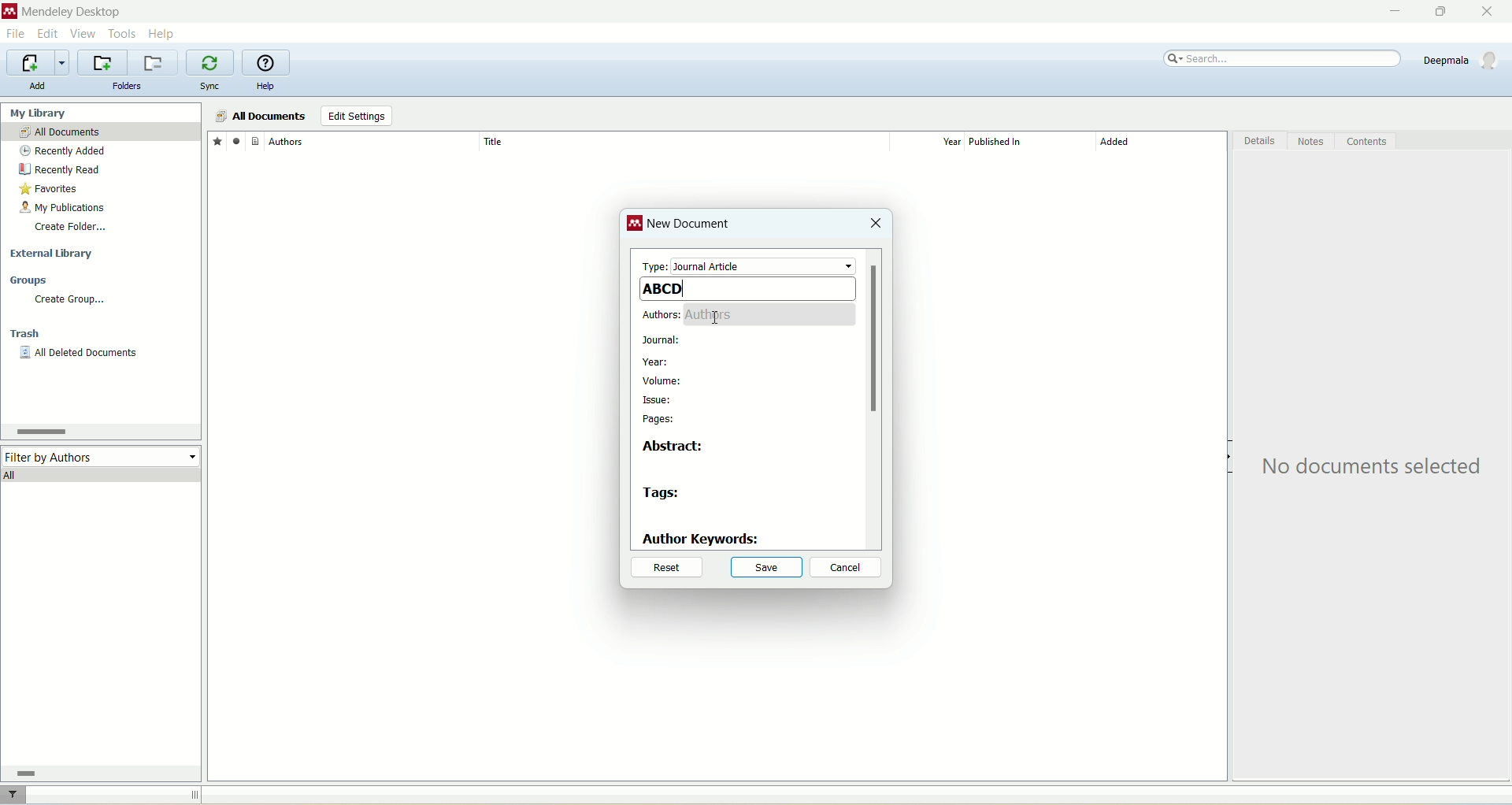  What do you see at coordinates (1463, 60) in the screenshot?
I see `account` at bounding box center [1463, 60].